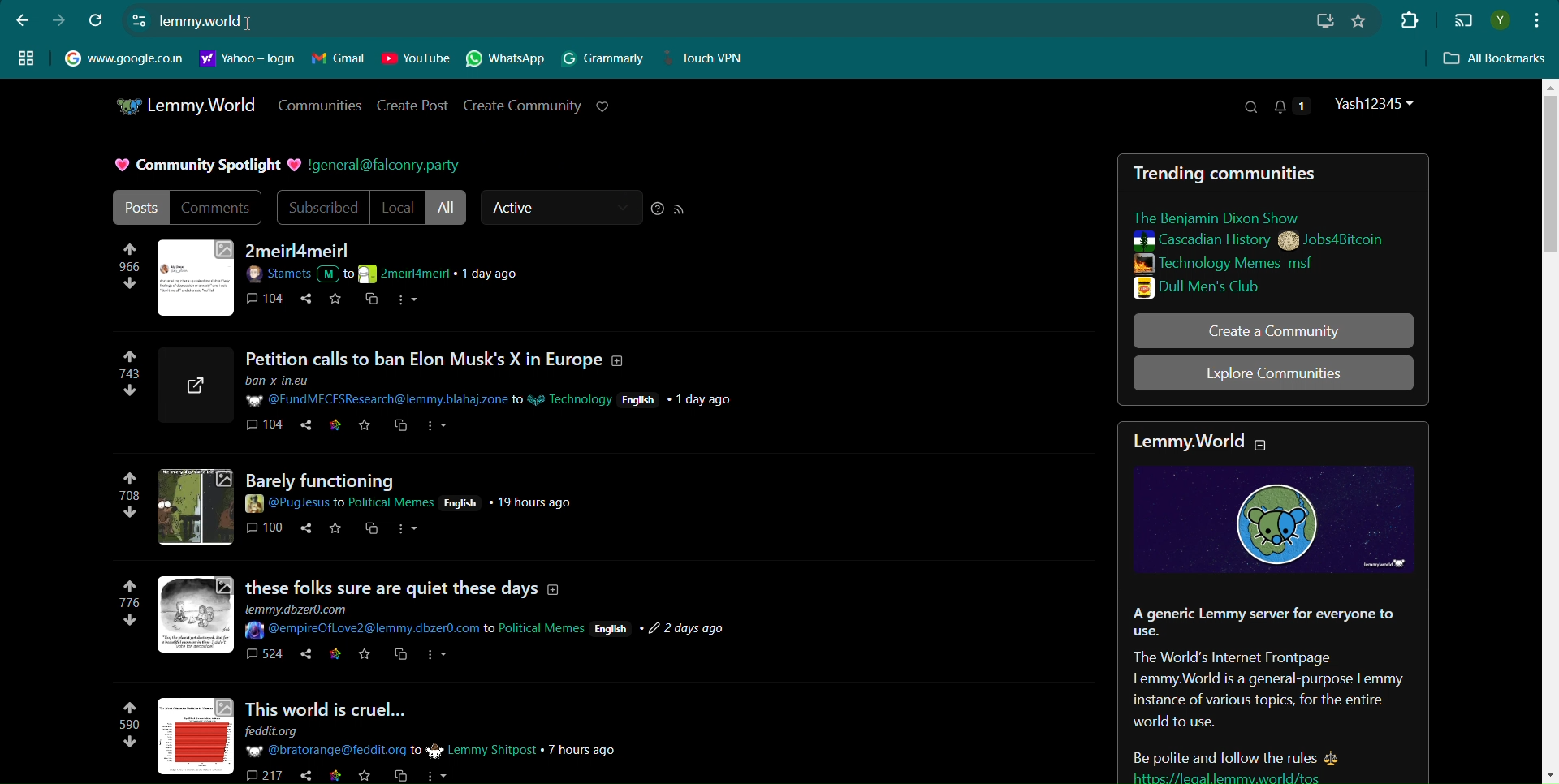  Describe the element at coordinates (443, 360) in the screenshot. I see `Petition calls to ban Elon Musk's X in Europe` at that location.